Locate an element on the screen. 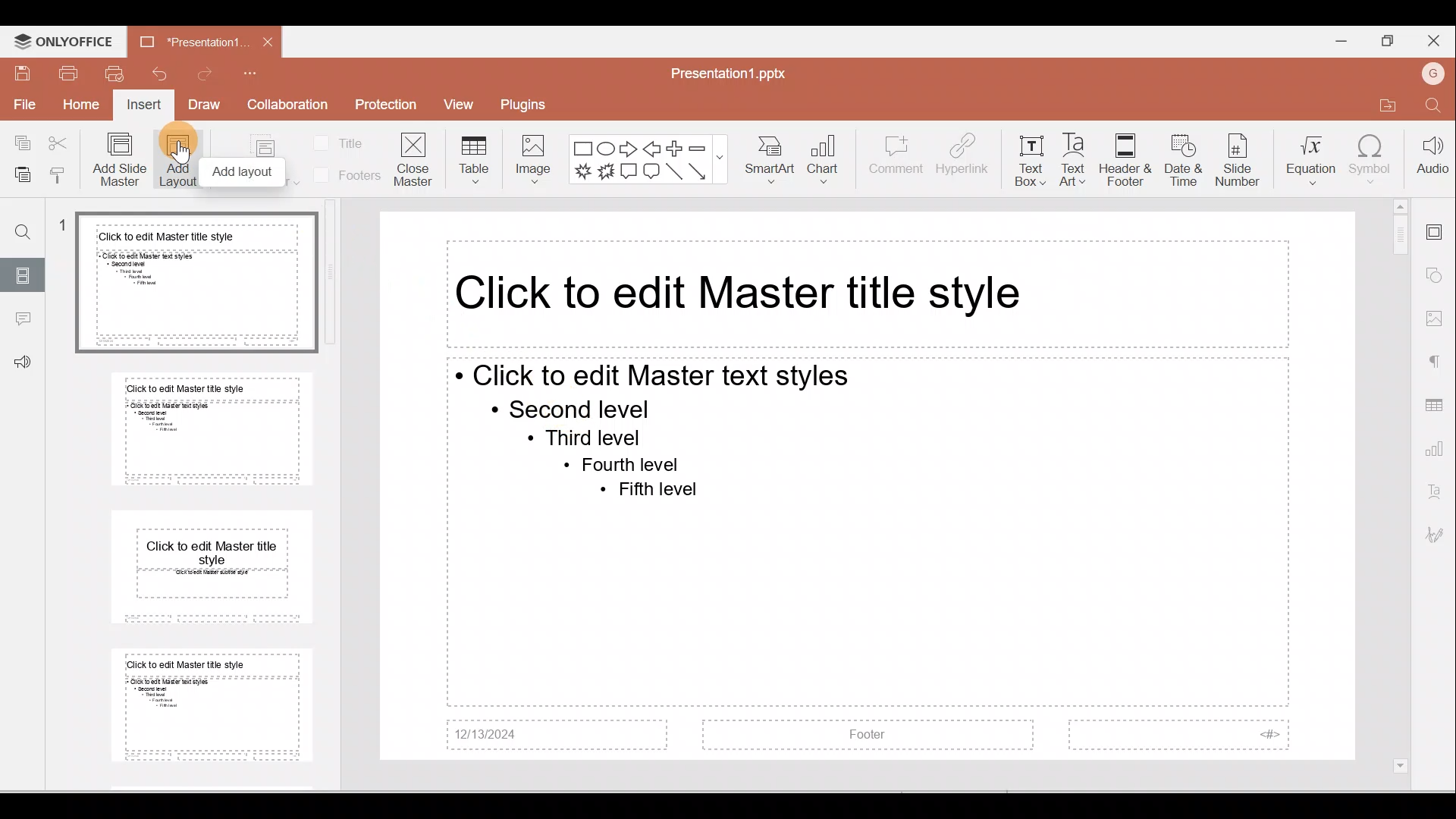 This screenshot has width=1456, height=819. Document name is located at coordinates (729, 70).